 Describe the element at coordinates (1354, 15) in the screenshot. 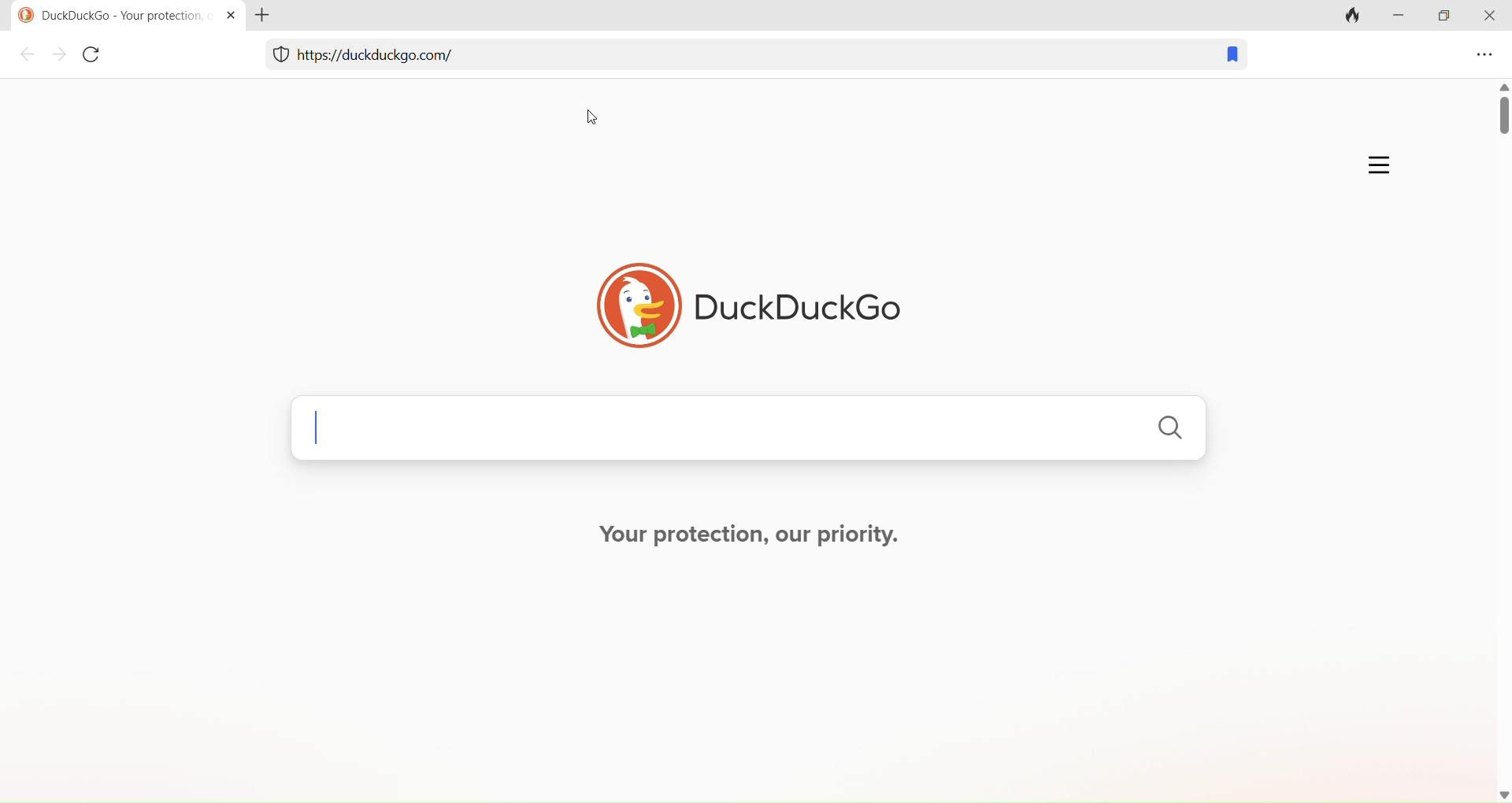

I see `clear tab and clear data` at that location.